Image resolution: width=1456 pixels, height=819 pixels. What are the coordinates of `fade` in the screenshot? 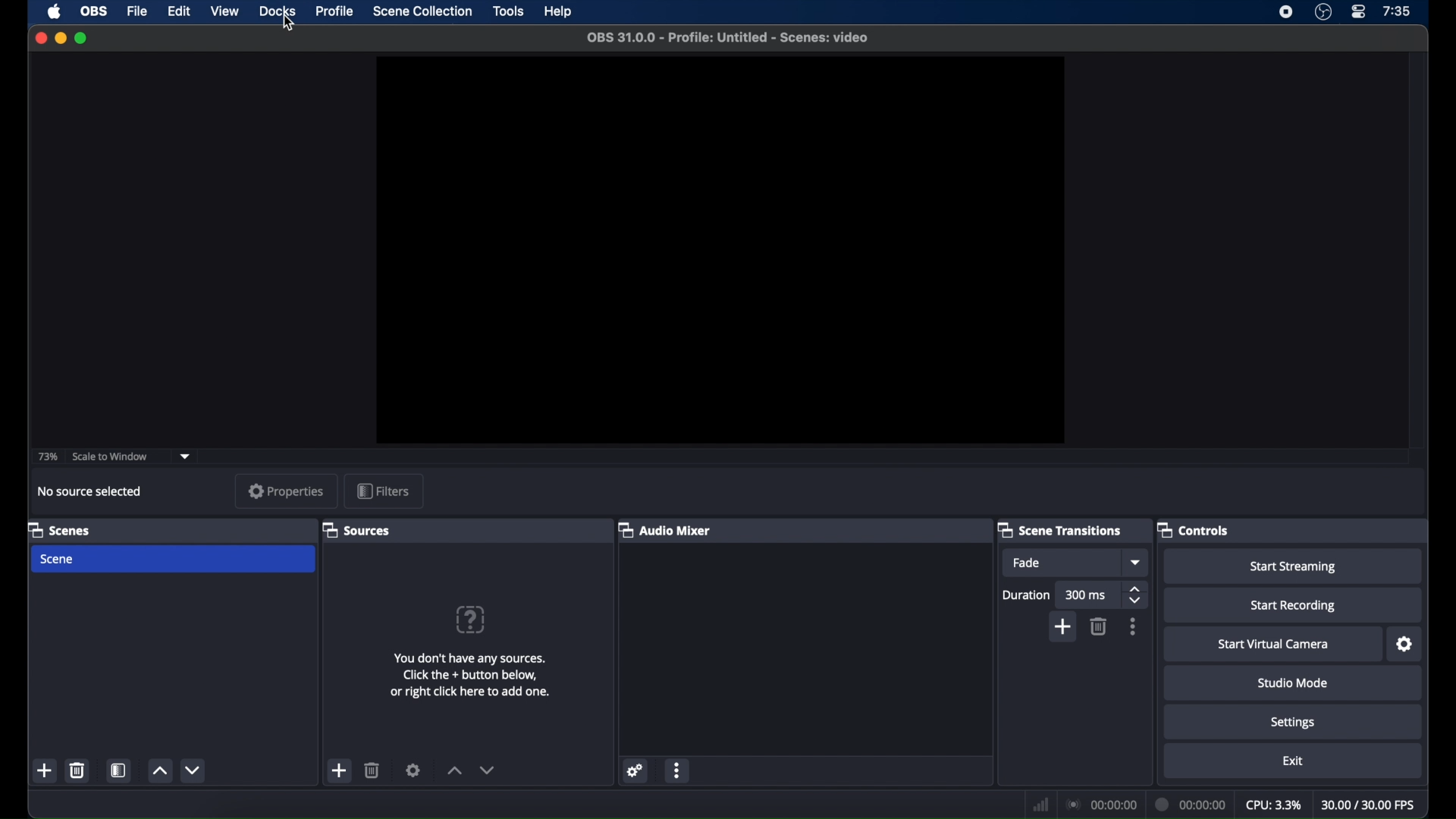 It's located at (1061, 563).